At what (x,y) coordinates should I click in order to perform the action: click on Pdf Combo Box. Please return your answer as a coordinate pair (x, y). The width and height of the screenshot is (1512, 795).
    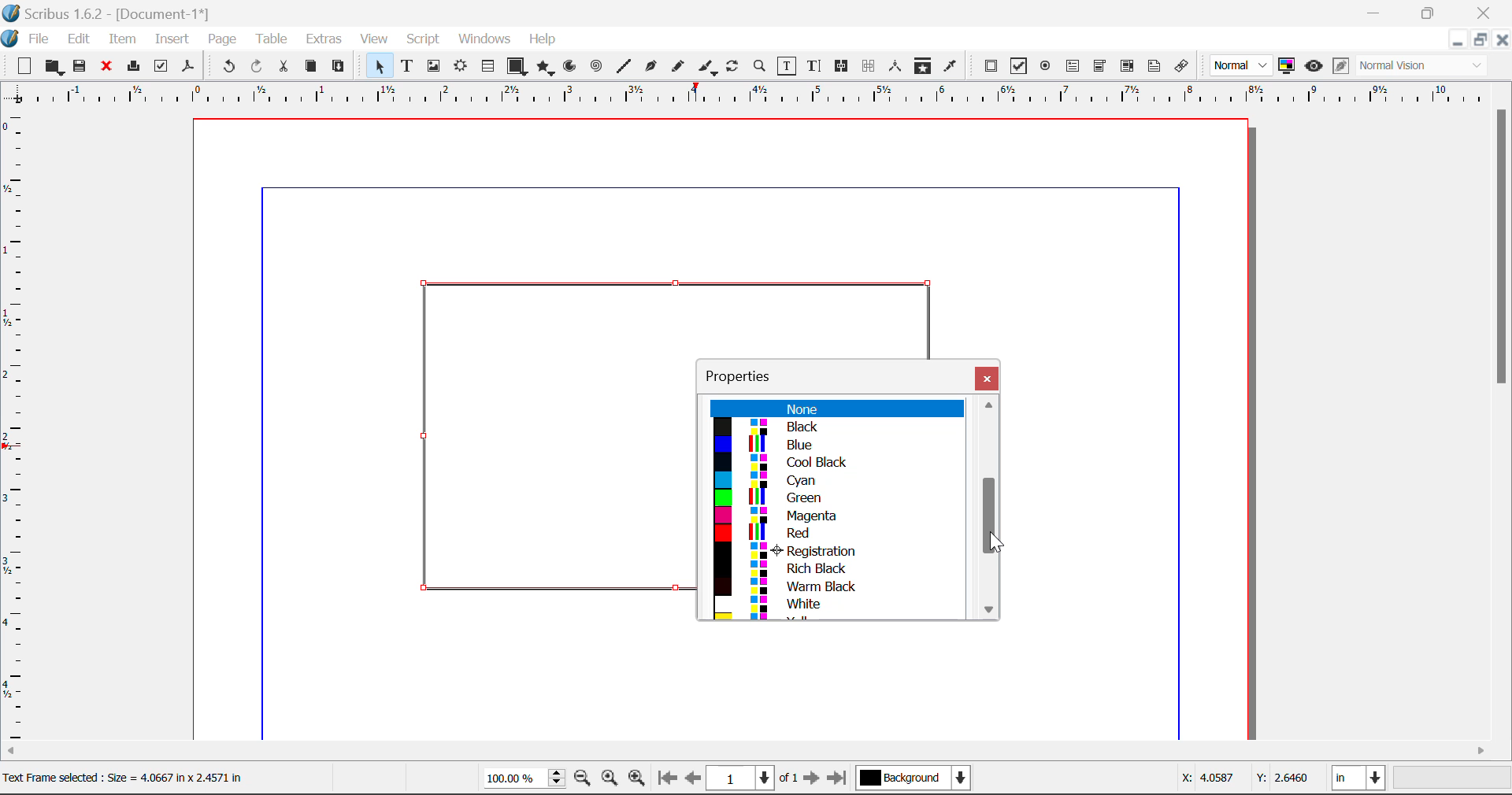
    Looking at the image, I should click on (1100, 65).